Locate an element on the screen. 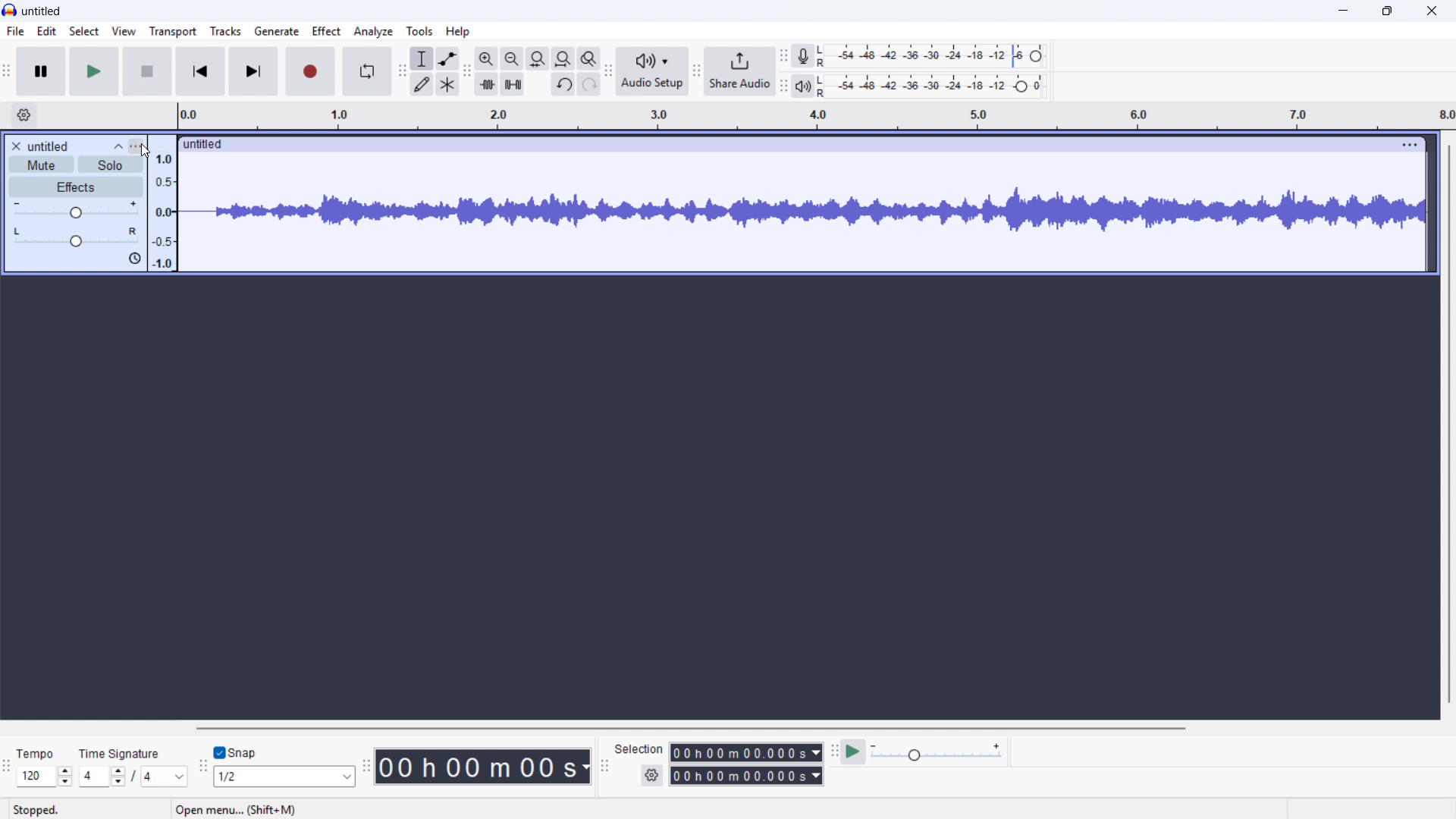 This screenshot has height=819, width=1456. Time signature is located at coordinates (121, 752).